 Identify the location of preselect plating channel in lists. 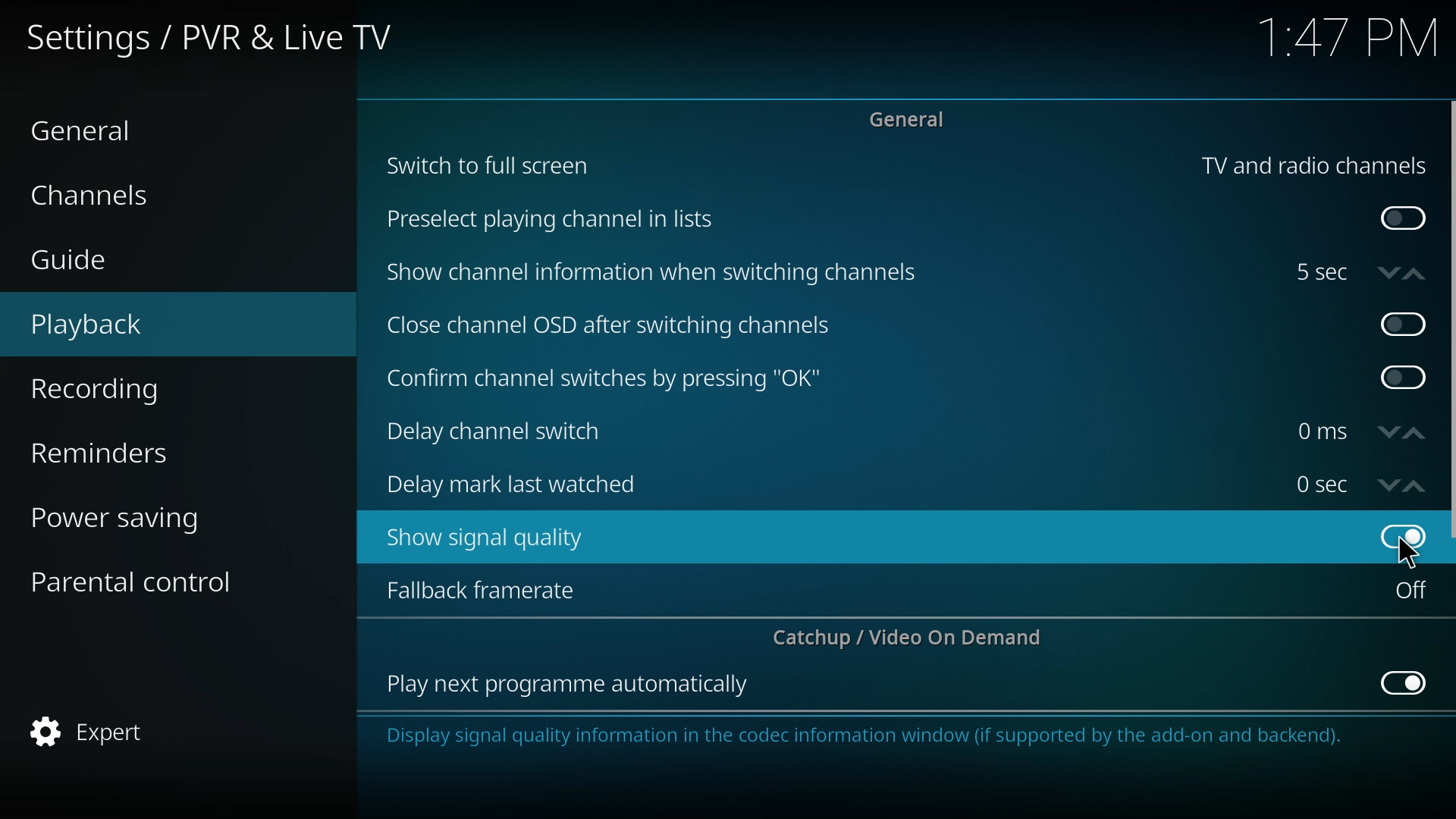
(556, 221).